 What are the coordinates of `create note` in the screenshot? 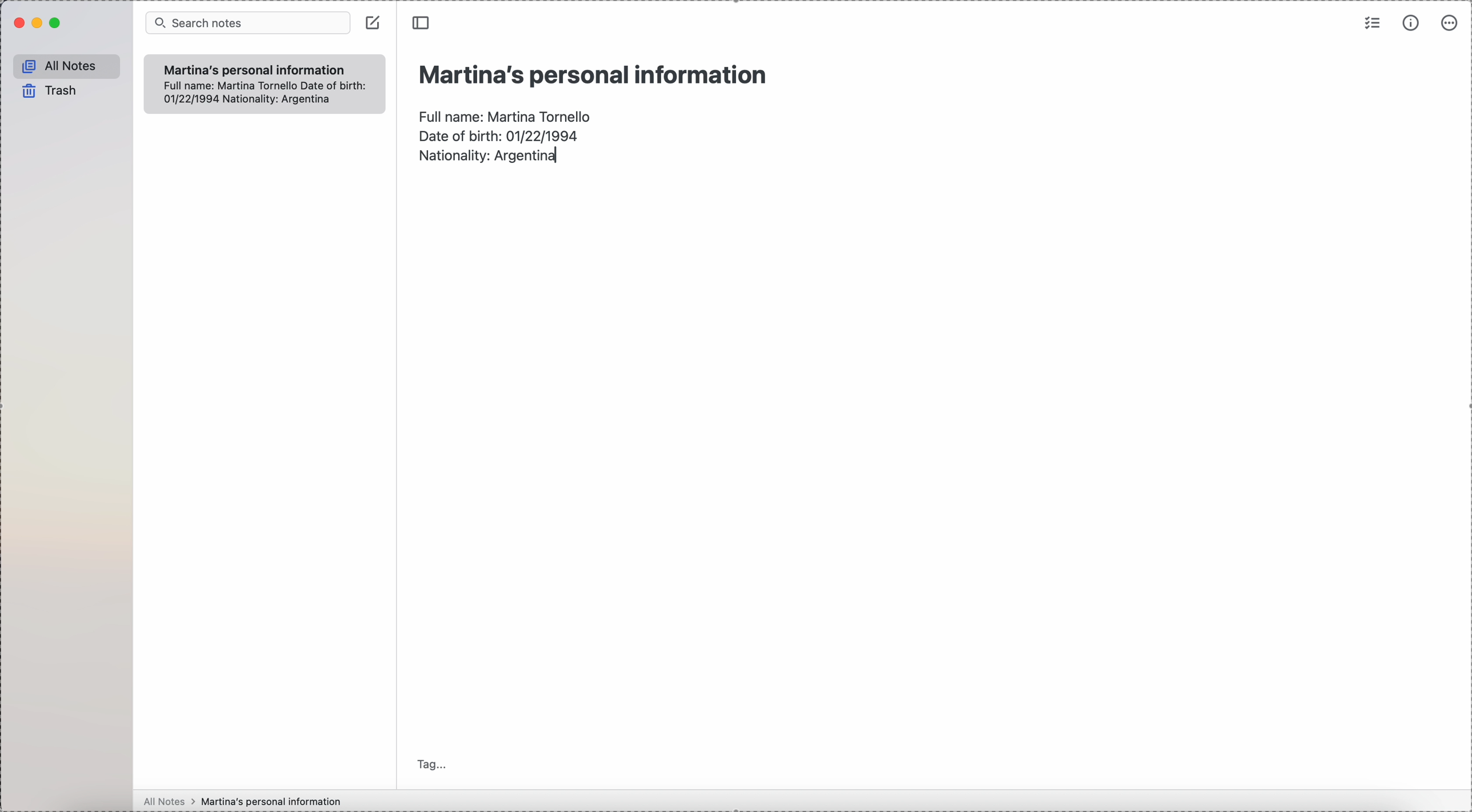 It's located at (374, 23).